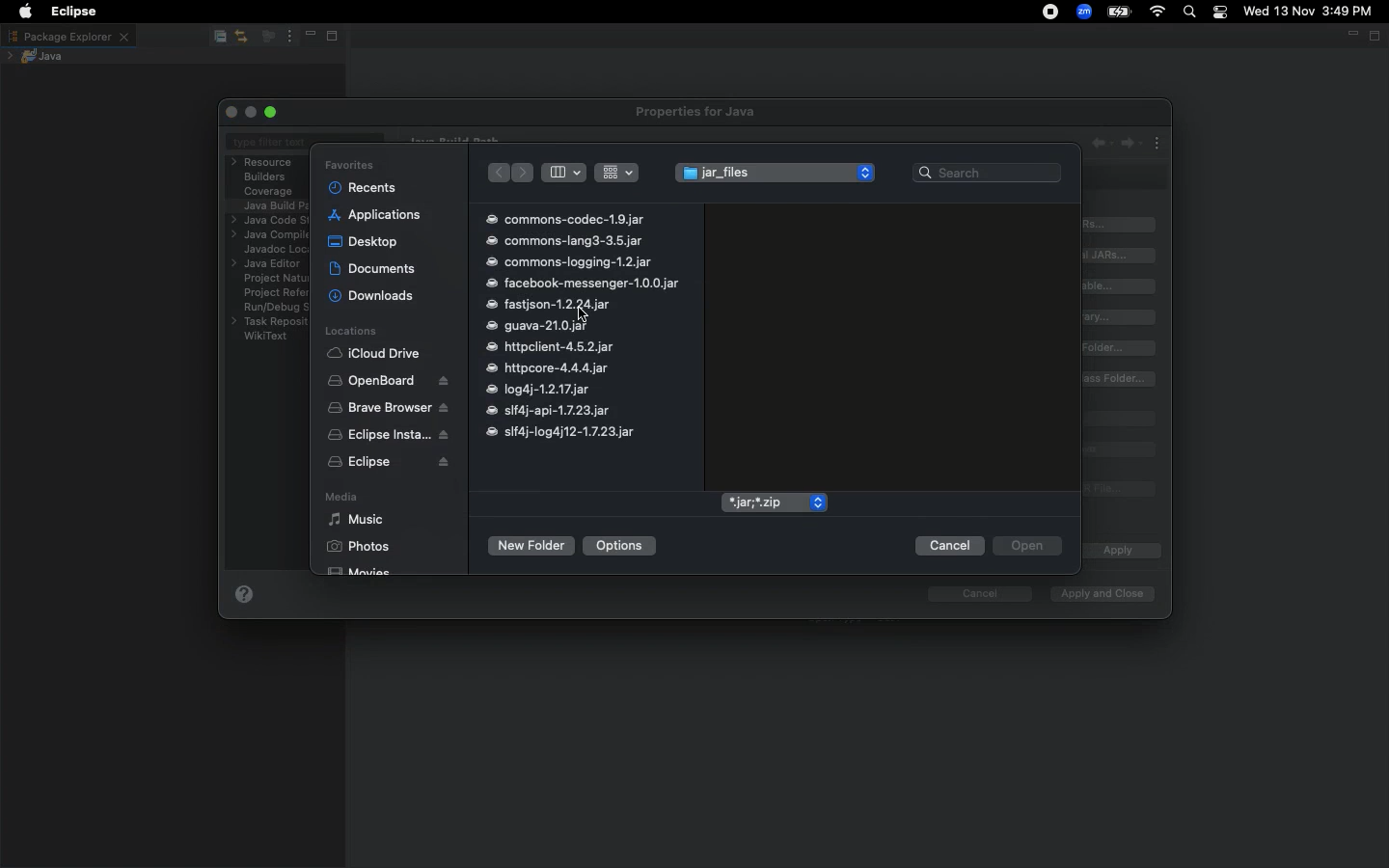 Image resolution: width=1389 pixels, height=868 pixels. What do you see at coordinates (1190, 14) in the screenshot?
I see `Search` at bounding box center [1190, 14].